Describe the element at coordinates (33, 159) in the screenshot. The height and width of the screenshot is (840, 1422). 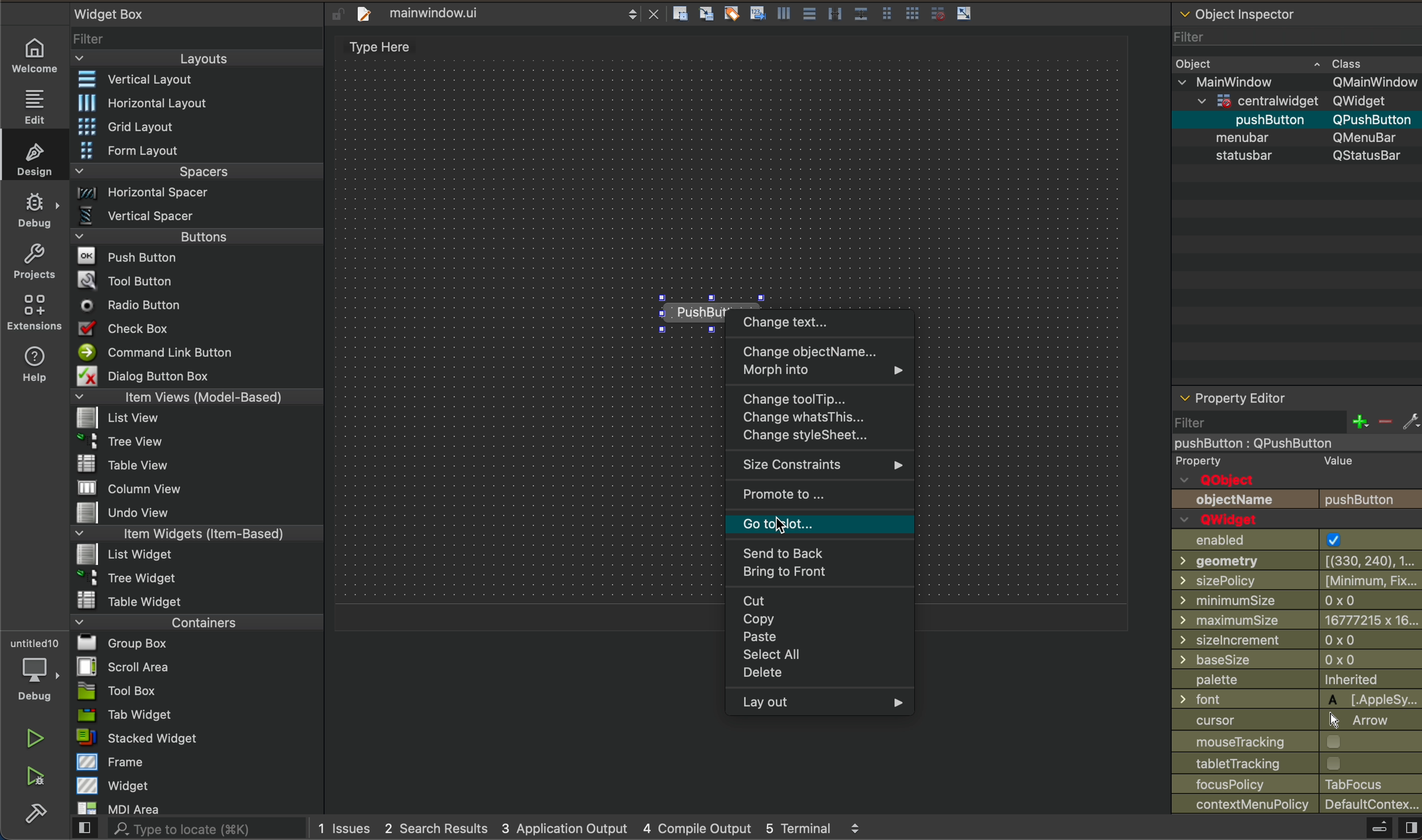
I see `design` at that location.